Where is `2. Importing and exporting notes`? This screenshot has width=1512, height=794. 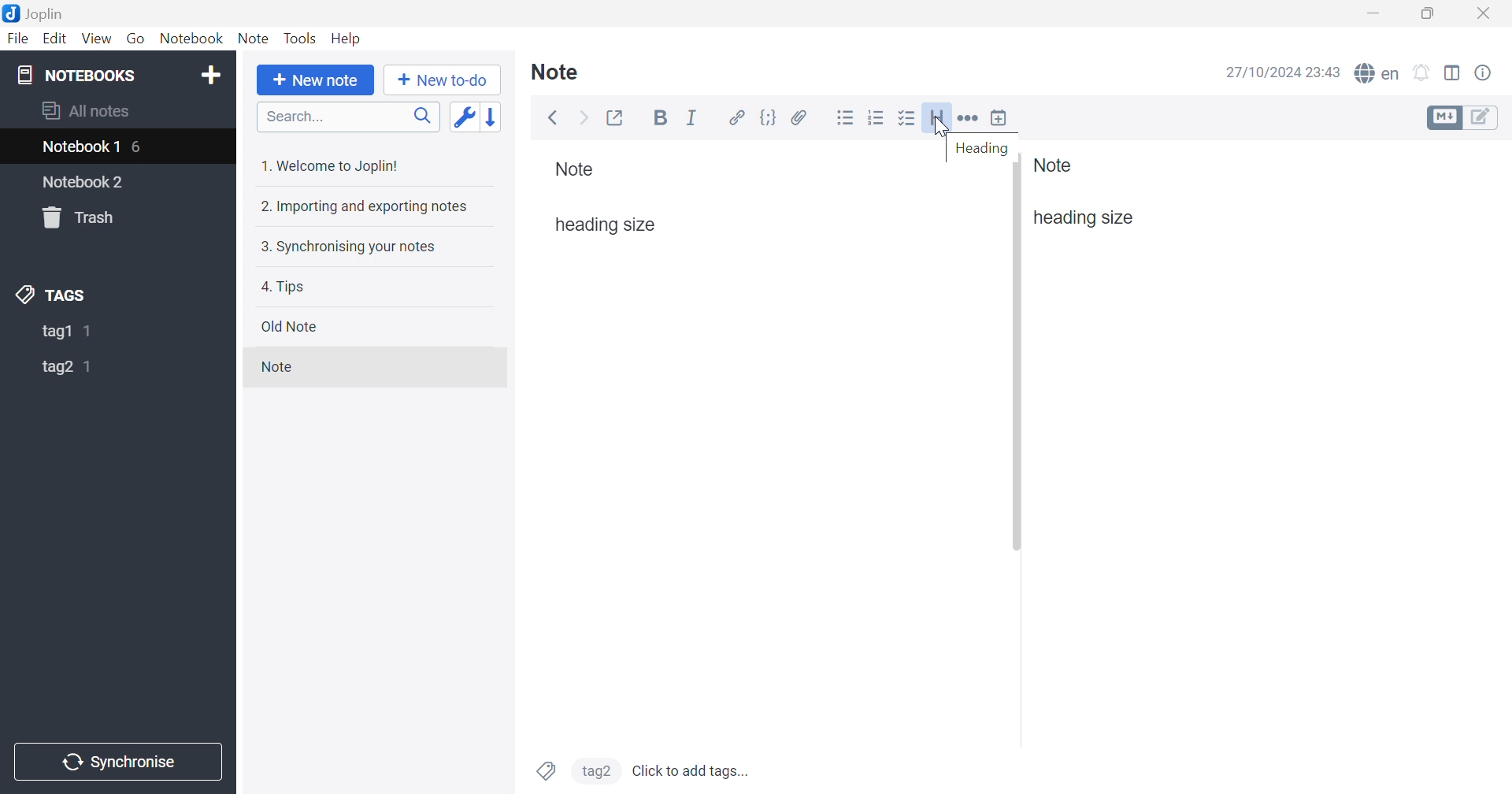 2. Importing and exporting notes is located at coordinates (364, 206).